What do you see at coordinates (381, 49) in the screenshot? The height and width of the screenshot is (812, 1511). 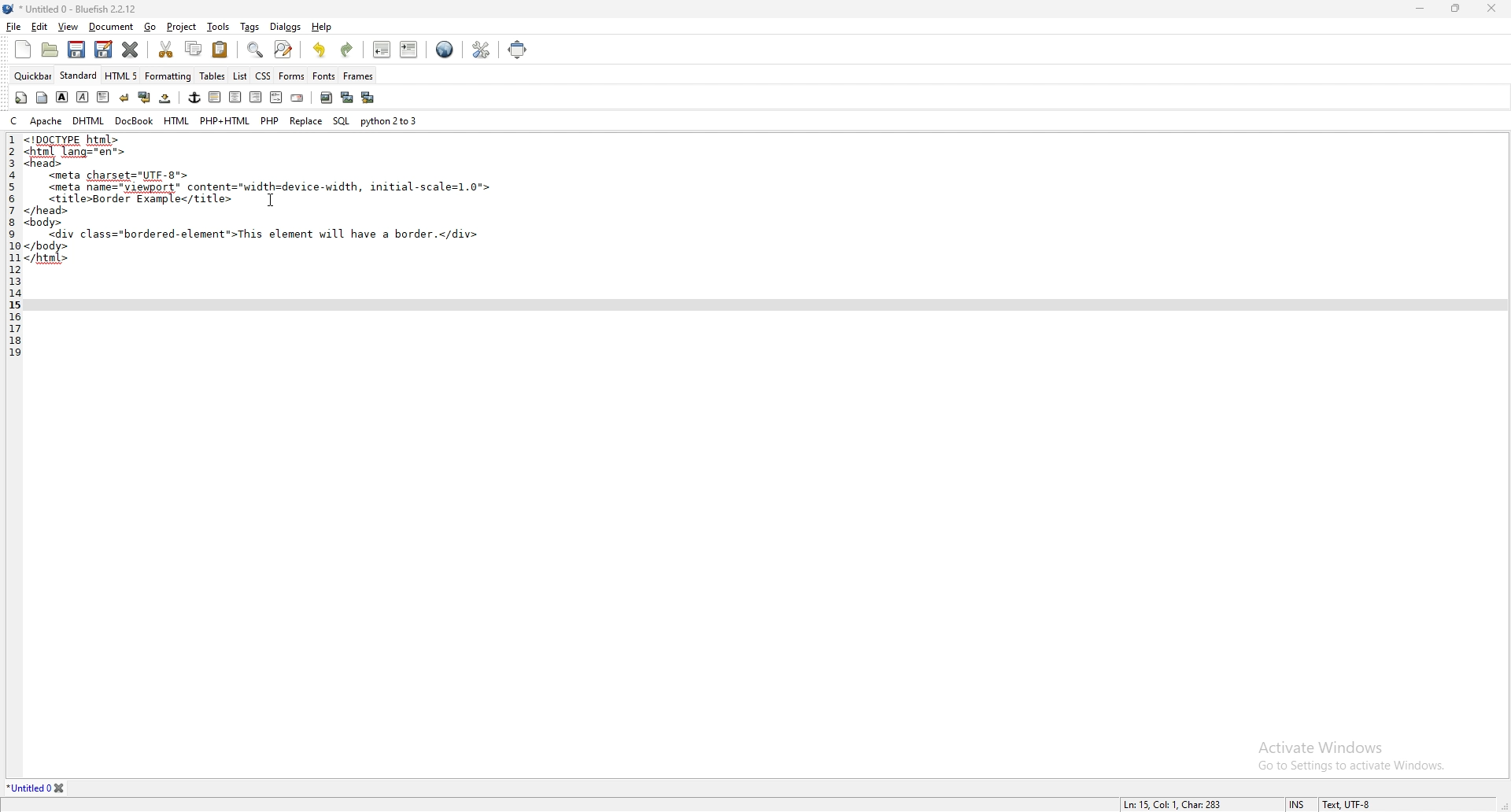 I see `unindent` at bounding box center [381, 49].